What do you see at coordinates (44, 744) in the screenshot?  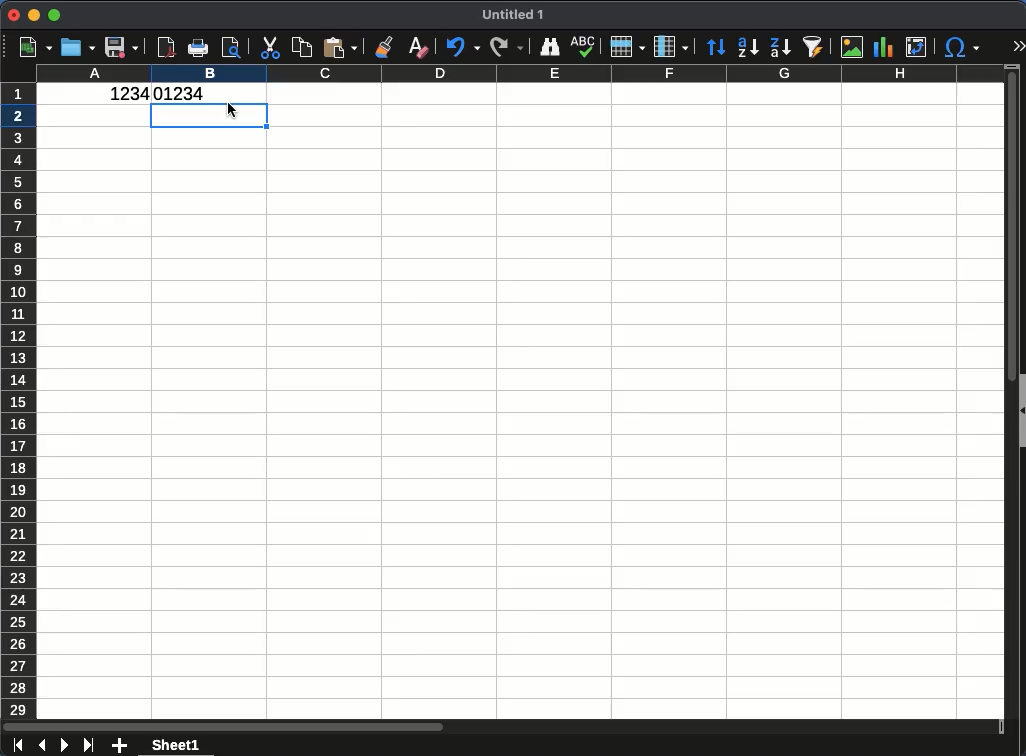 I see `previous sheet` at bounding box center [44, 744].